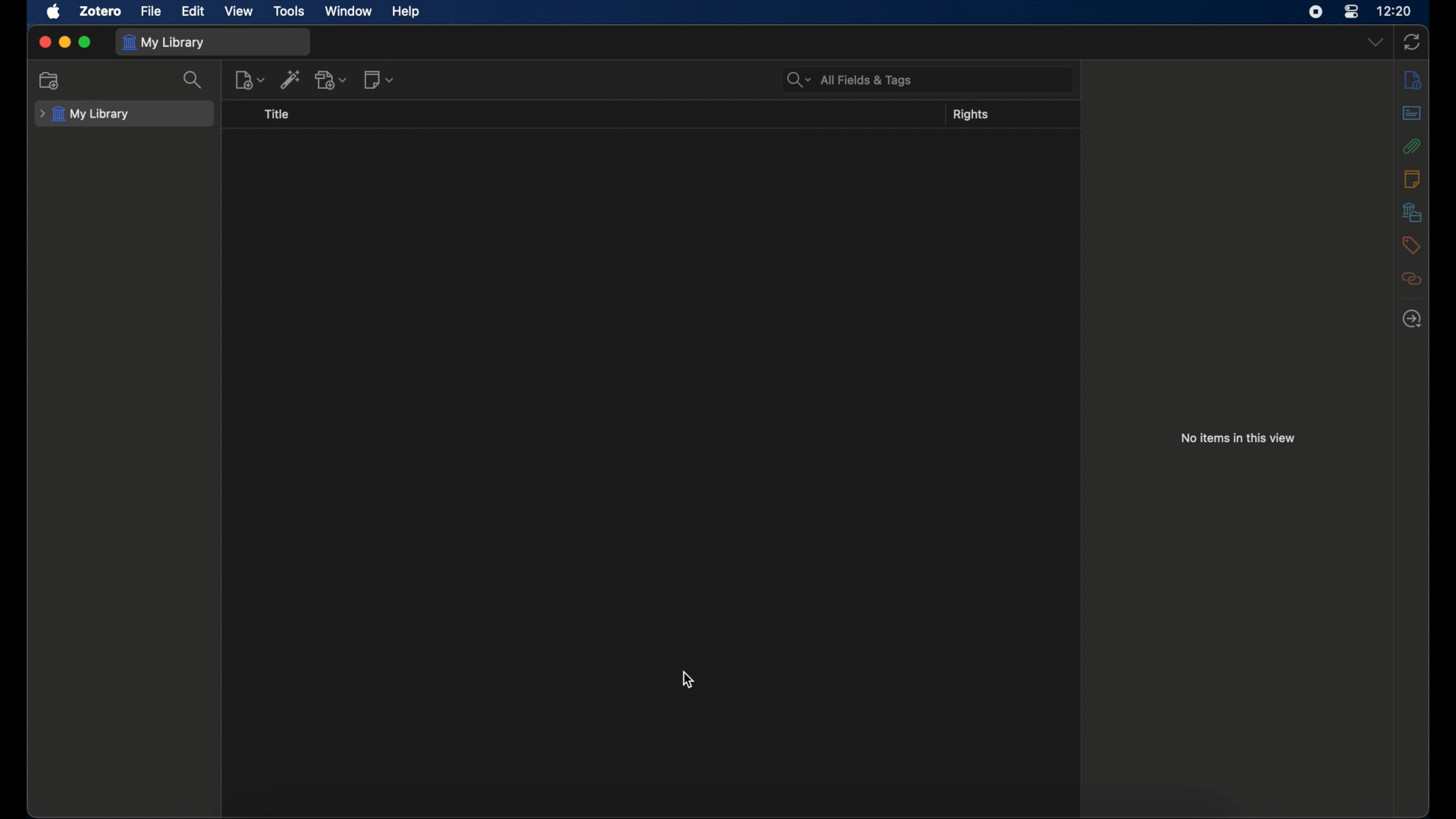  What do you see at coordinates (1238, 438) in the screenshot?
I see `no items in this view` at bounding box center [1238, 438].